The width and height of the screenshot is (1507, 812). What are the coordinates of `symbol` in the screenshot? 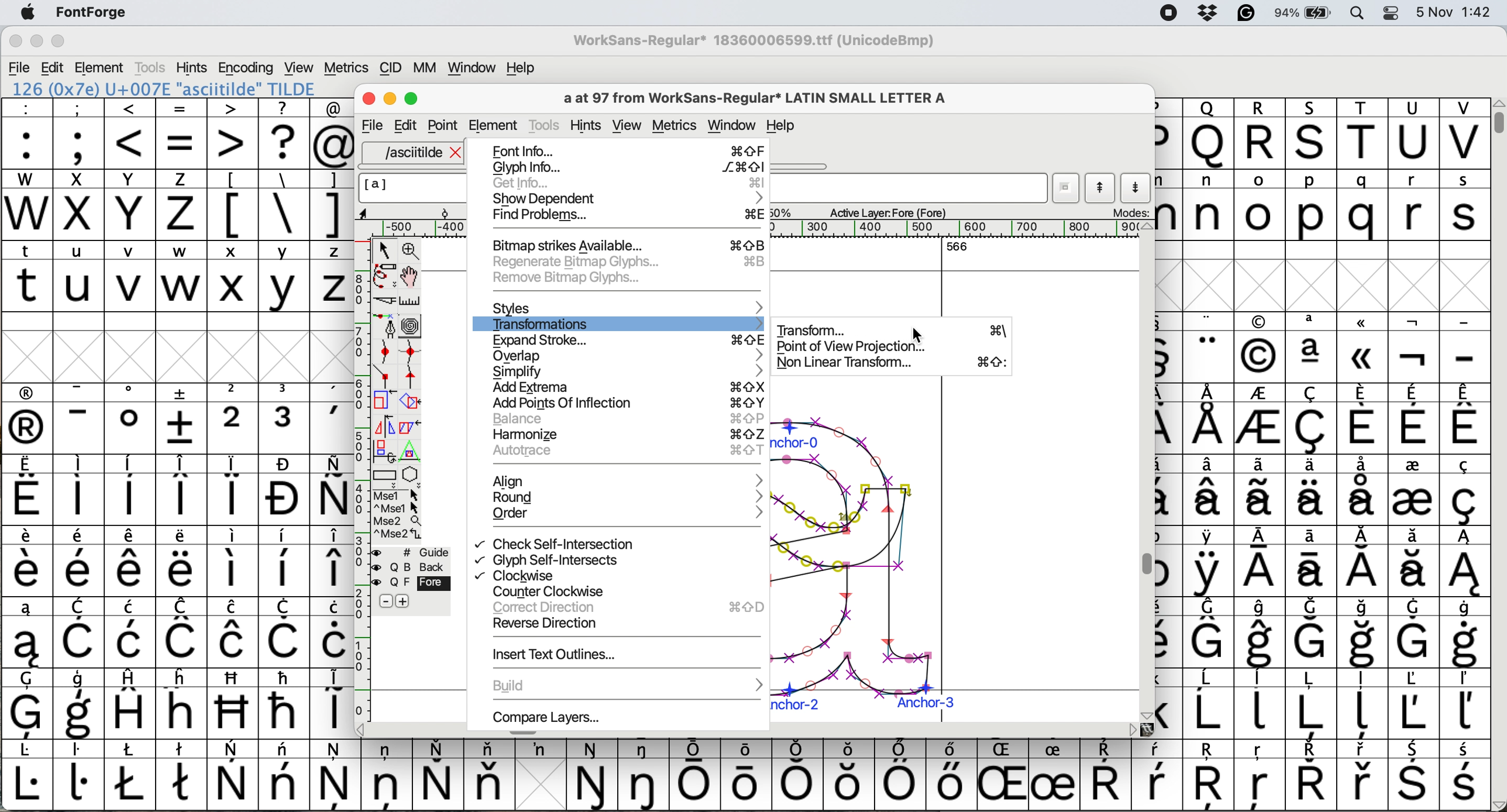 It's located at (1463, 704).